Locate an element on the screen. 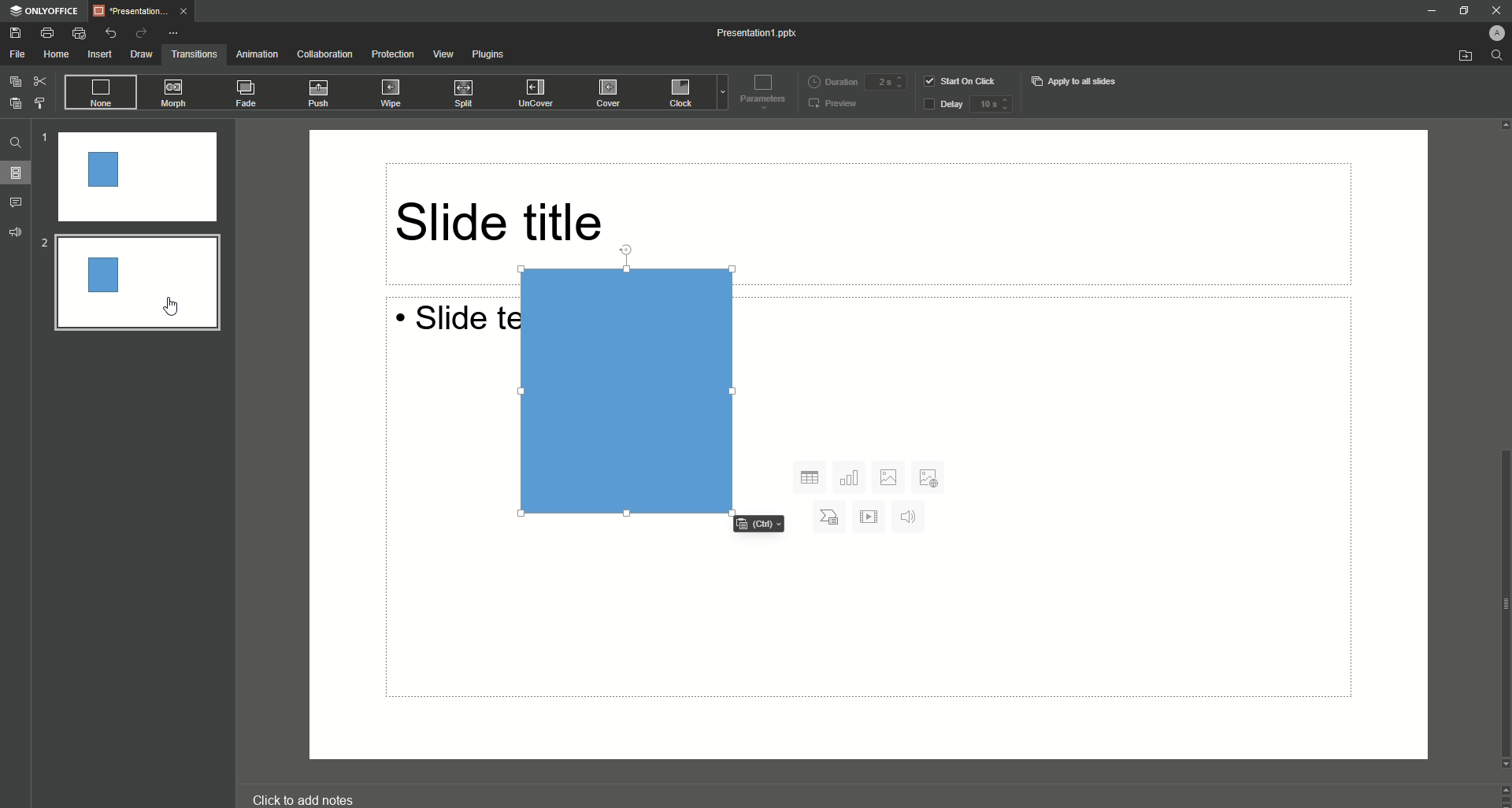 The width and height of the screenshot is (1512, 808). Play is located at coordinates (874, 517).